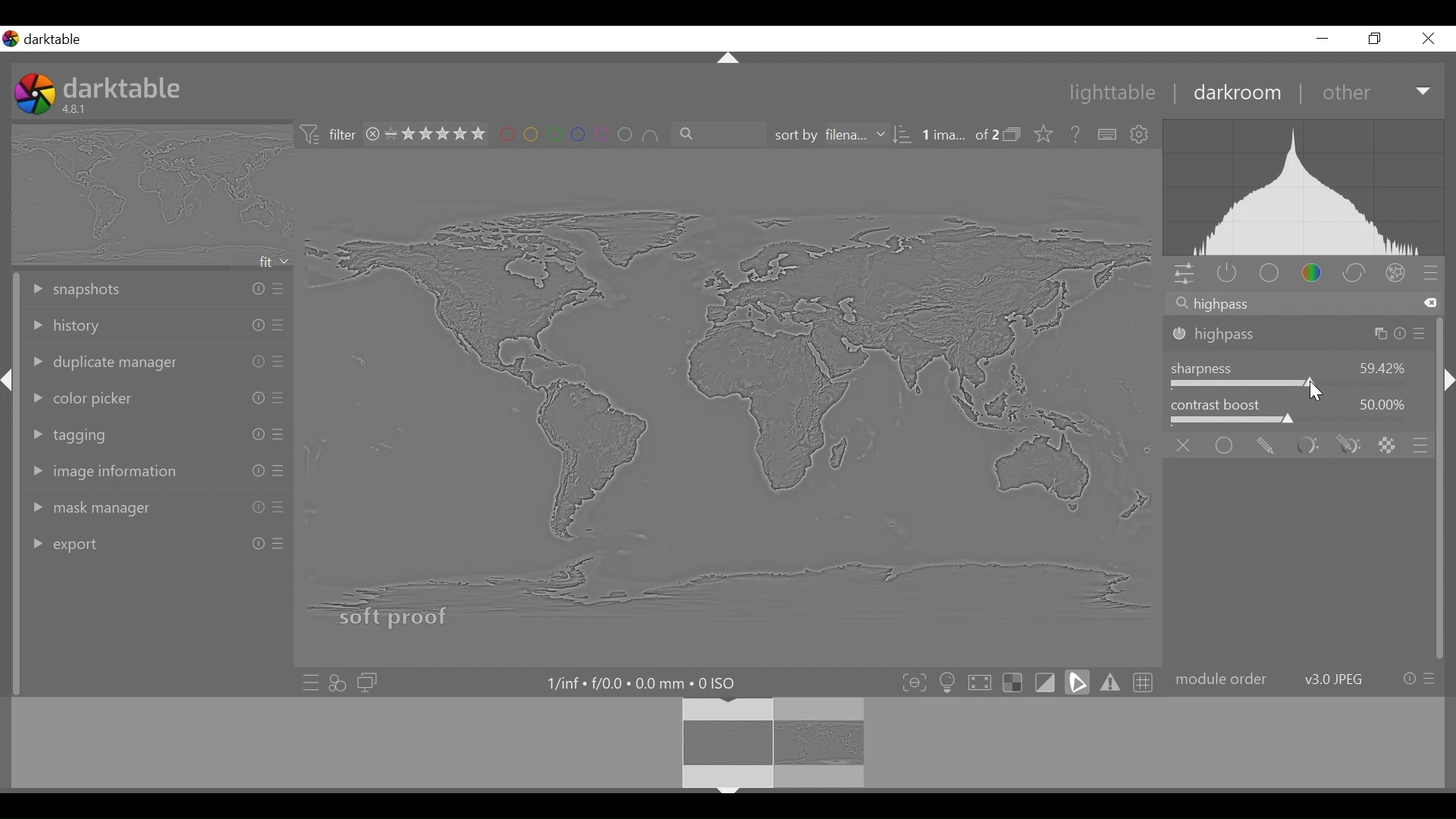 Image resolution: width=1456 pixels, height=819 pixels. Describe the element at coordinates (579, 132) in the screenshot. I see `filter by image color label` at that location.